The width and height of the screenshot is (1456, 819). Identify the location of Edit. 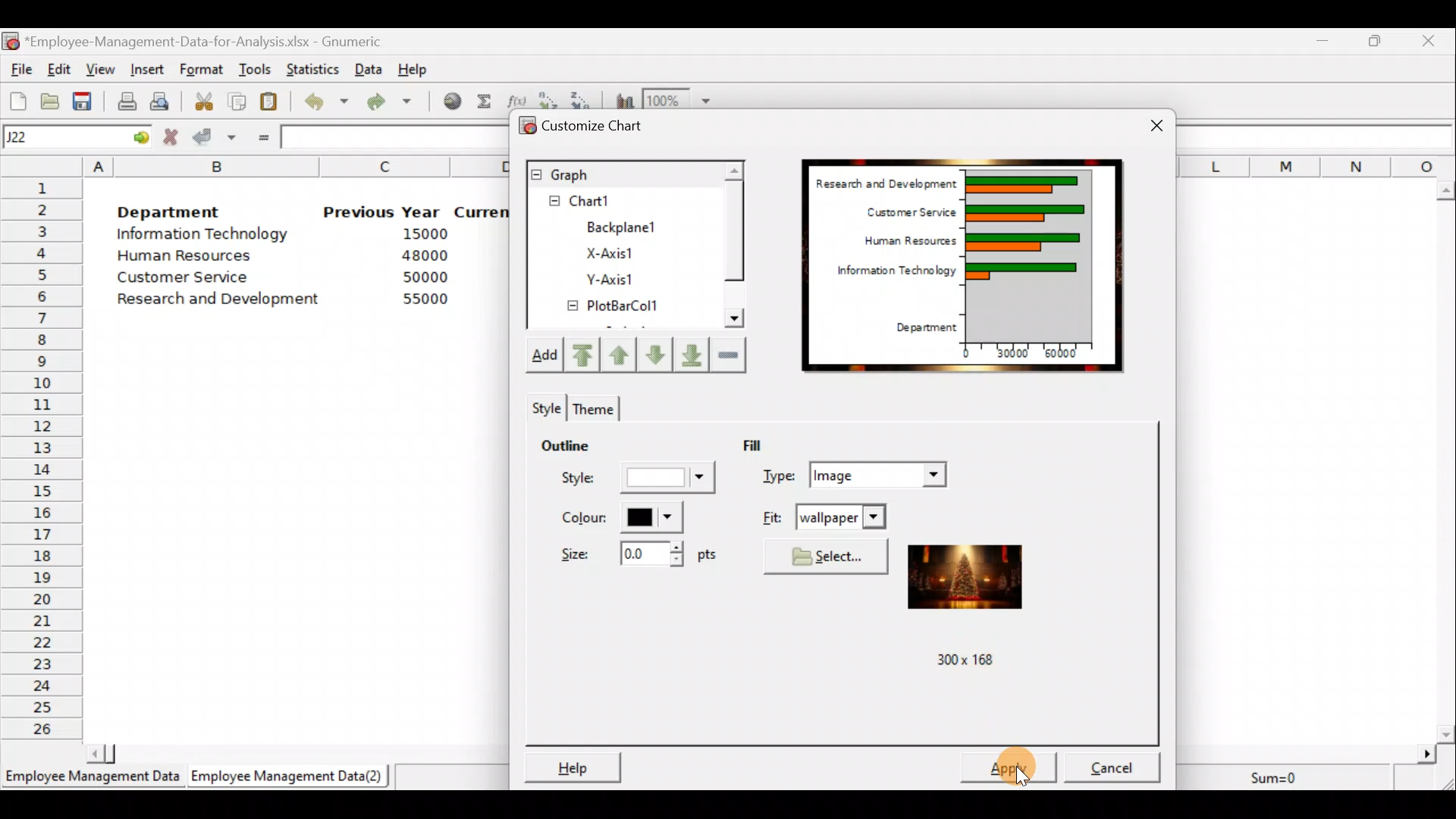
(61, 68).